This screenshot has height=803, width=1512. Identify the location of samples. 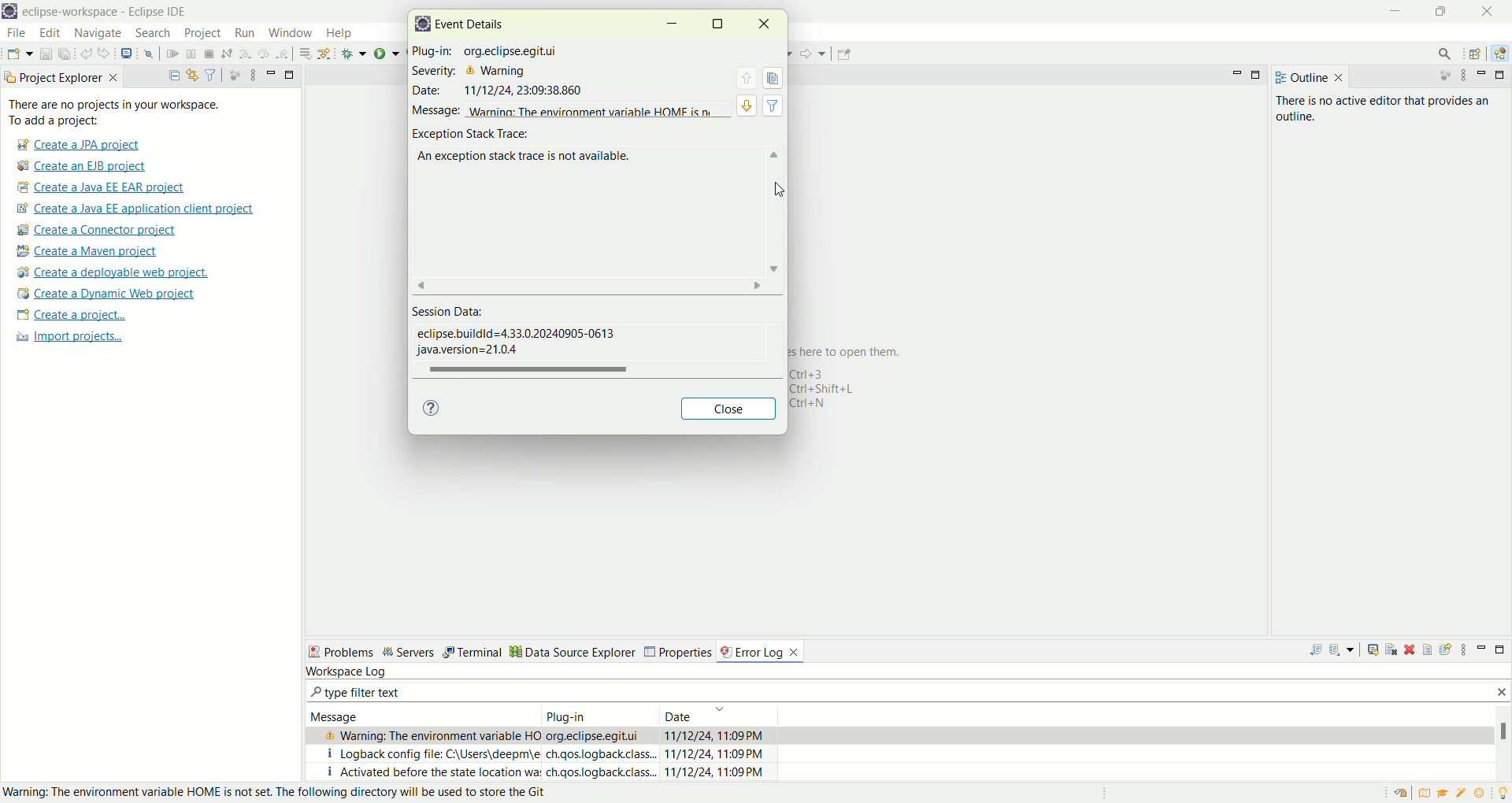
(1461, 794).